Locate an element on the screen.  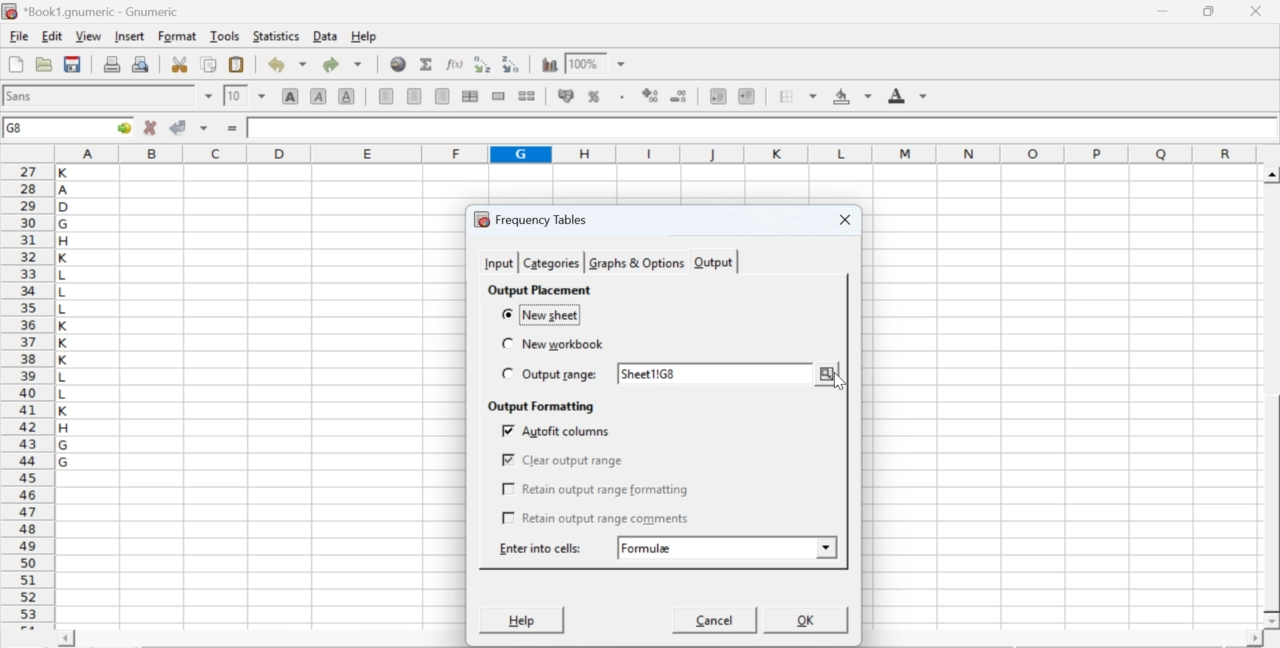
merge a range of cells is located at coordinates (499, 96).